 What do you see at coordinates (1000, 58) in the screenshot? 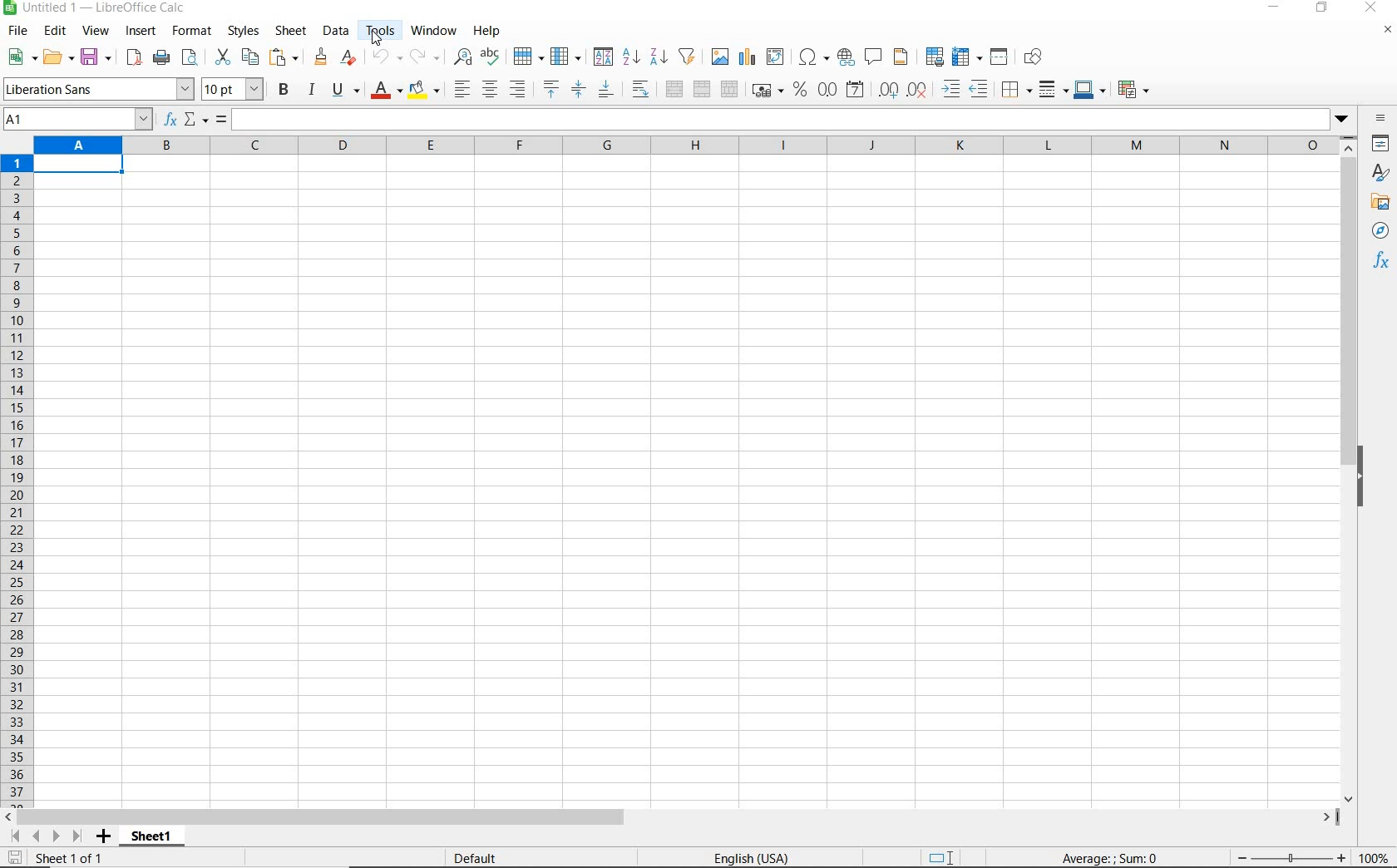
I see `split window` at bounding box center [1000, 58].